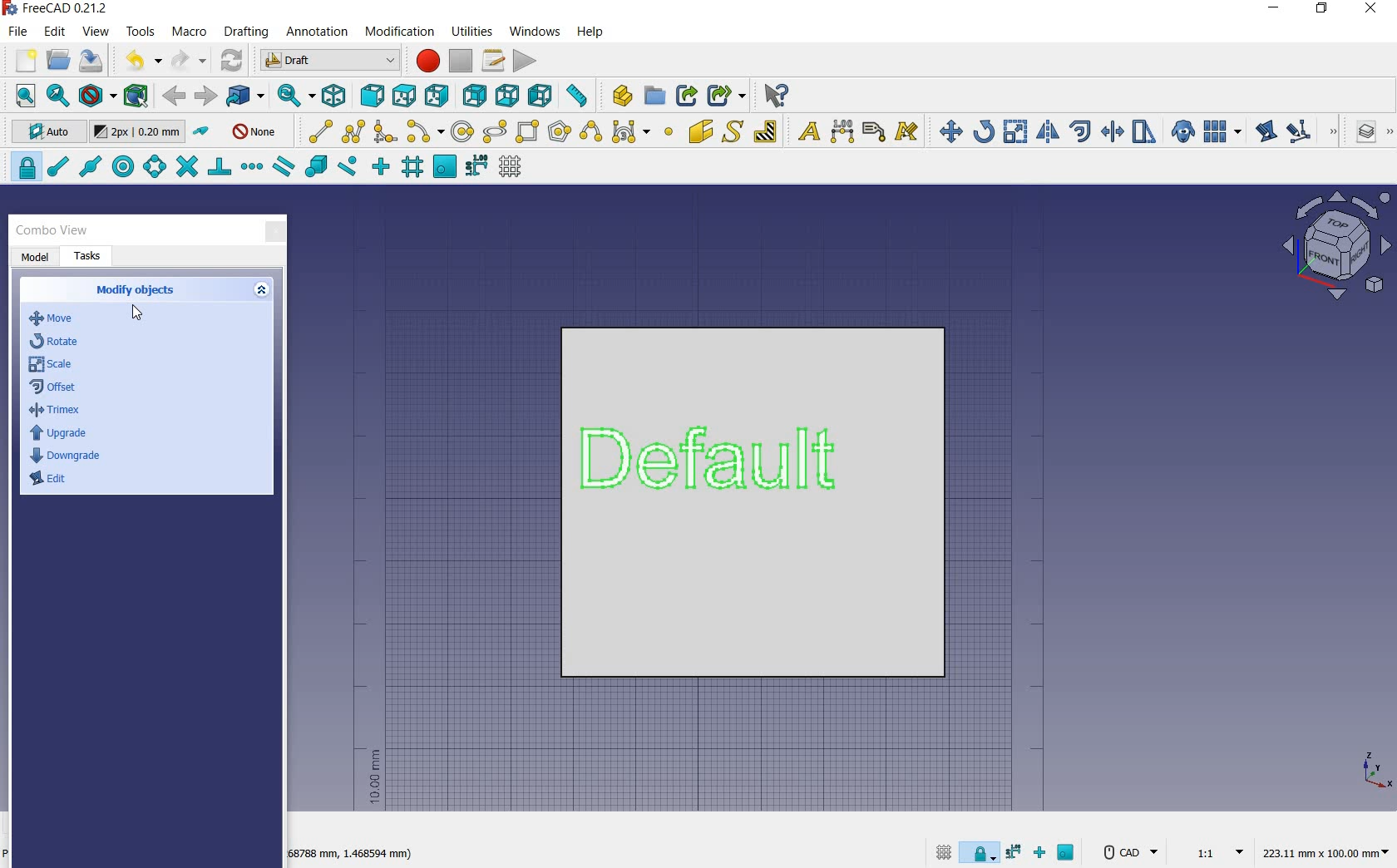 This screenshot has width=1397, height=868. Describe the element at coordinates (462, 61) in the screenshot. I see `stop macro recording` at that location.